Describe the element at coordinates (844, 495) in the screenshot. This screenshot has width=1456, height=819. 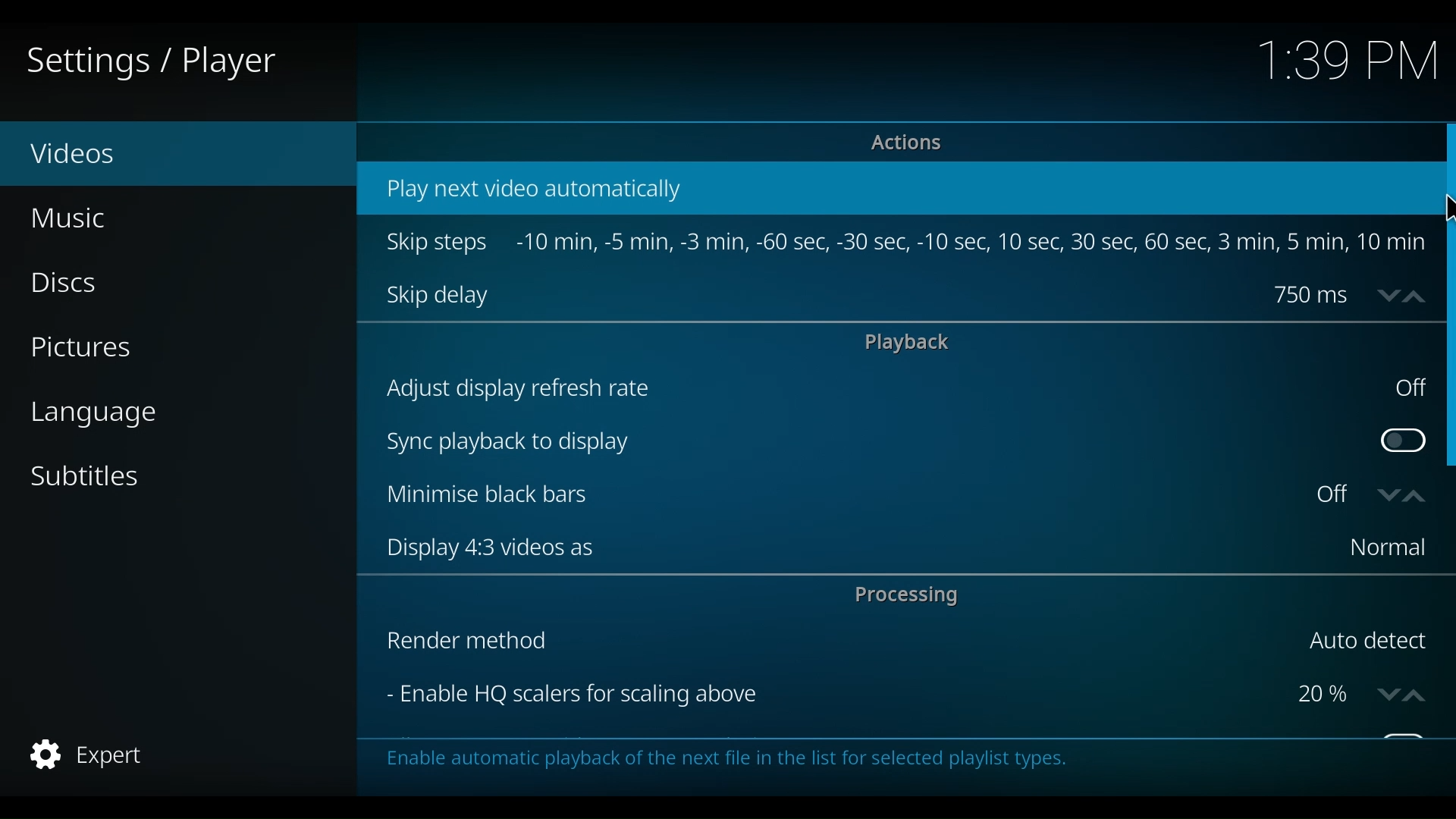
I see `Minimise black bars` at that location.